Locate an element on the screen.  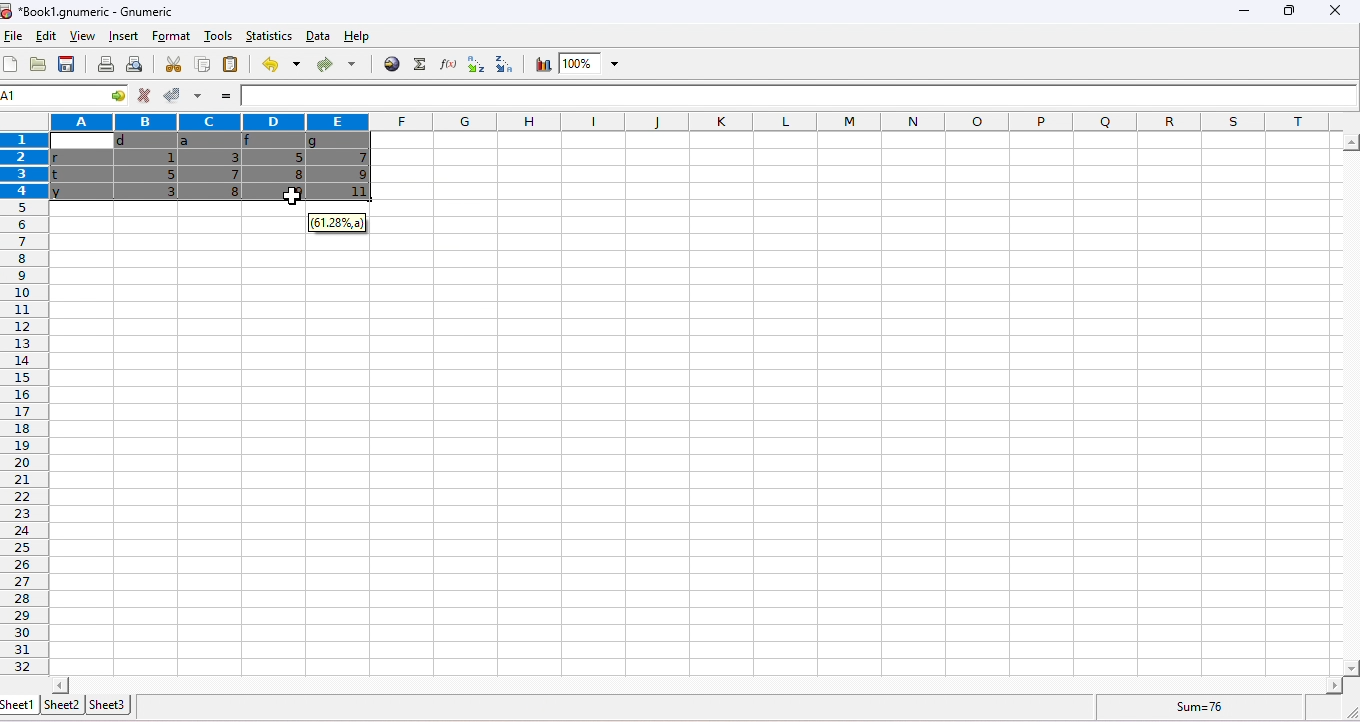
close is located at coordinates (1334, 11).